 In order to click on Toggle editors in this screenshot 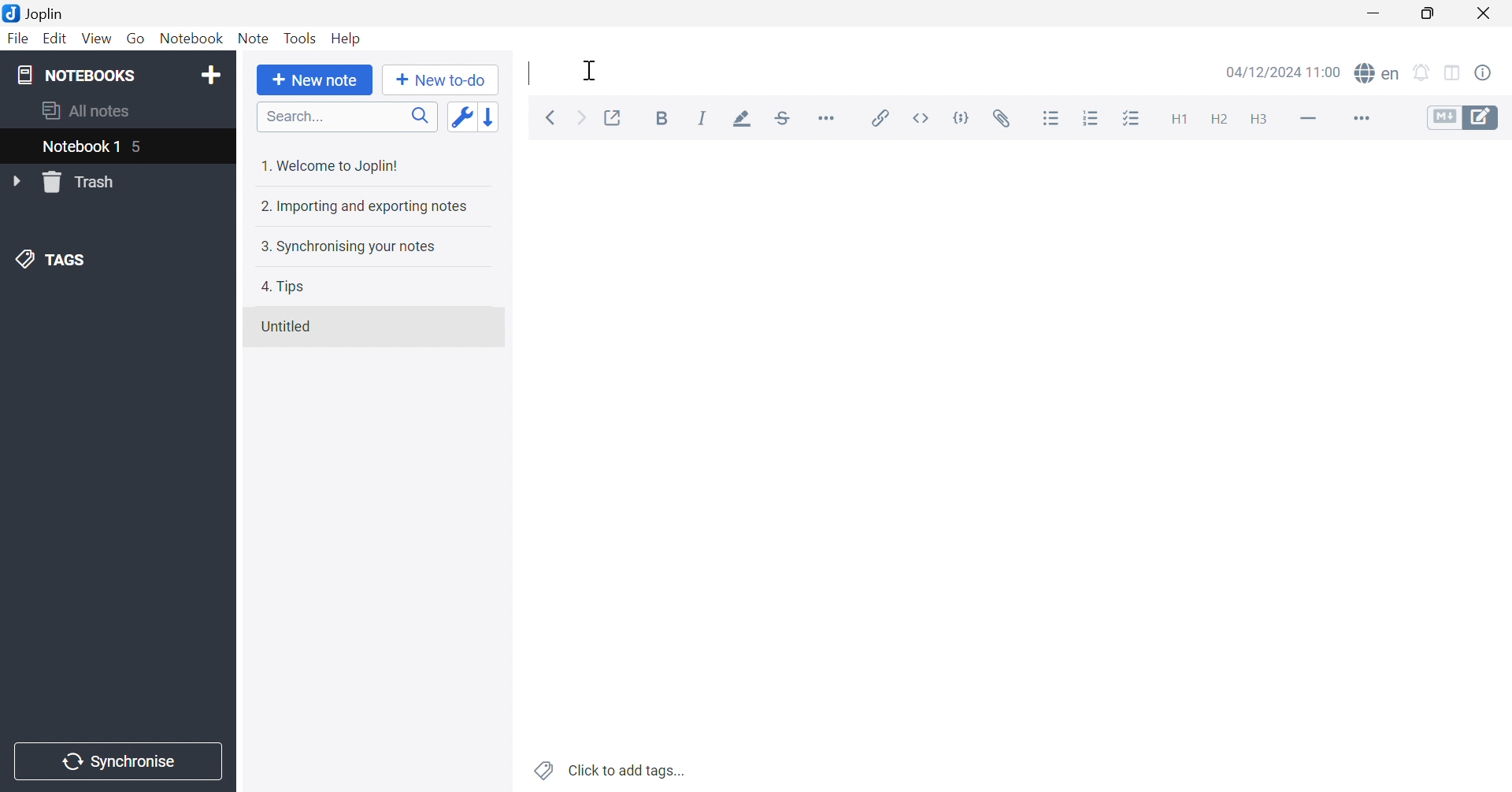, I will do `click(1463, 118)`.